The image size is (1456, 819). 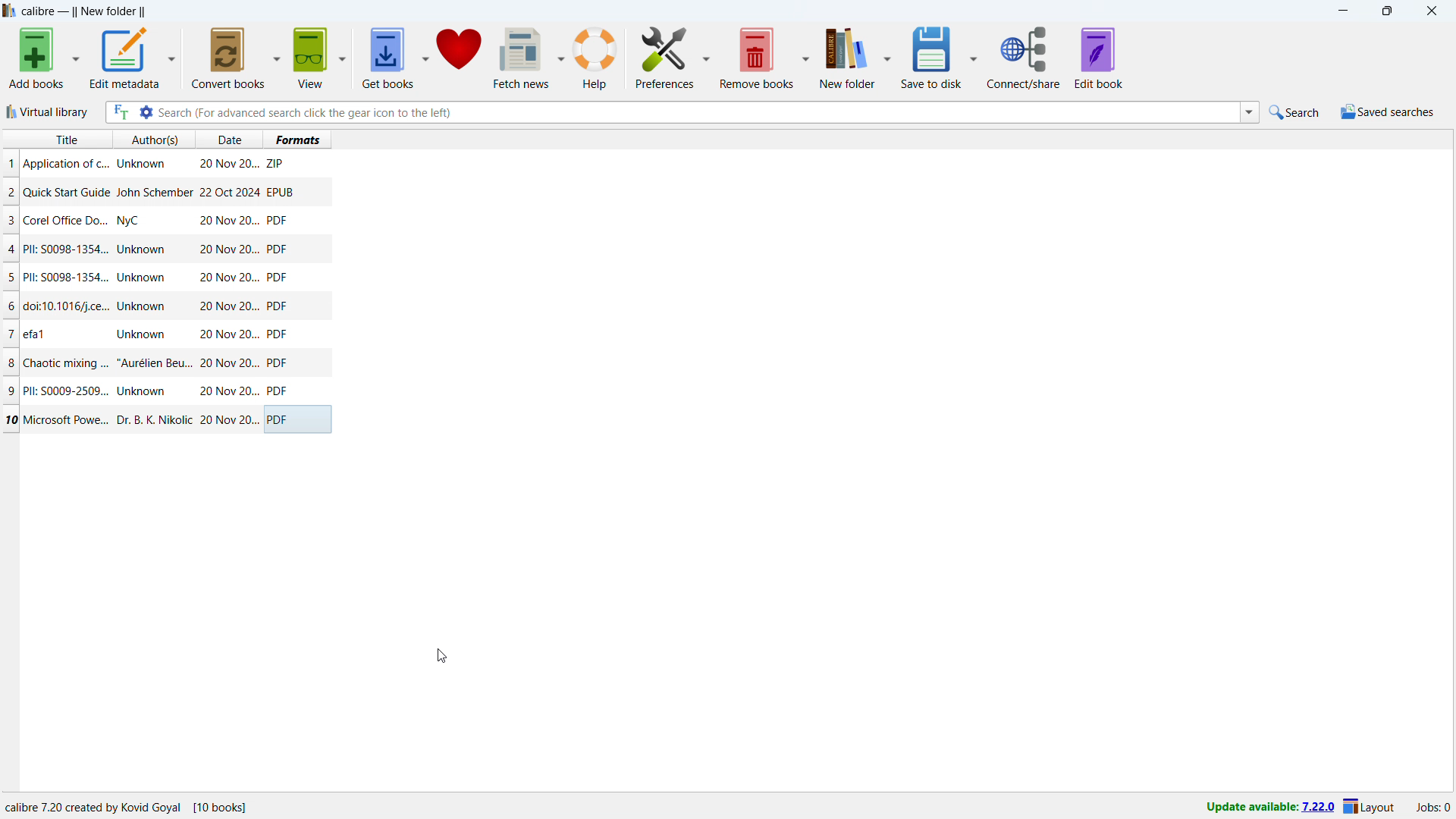 I want to click on "Aurelien Beu..., so click(x=154, y=365).